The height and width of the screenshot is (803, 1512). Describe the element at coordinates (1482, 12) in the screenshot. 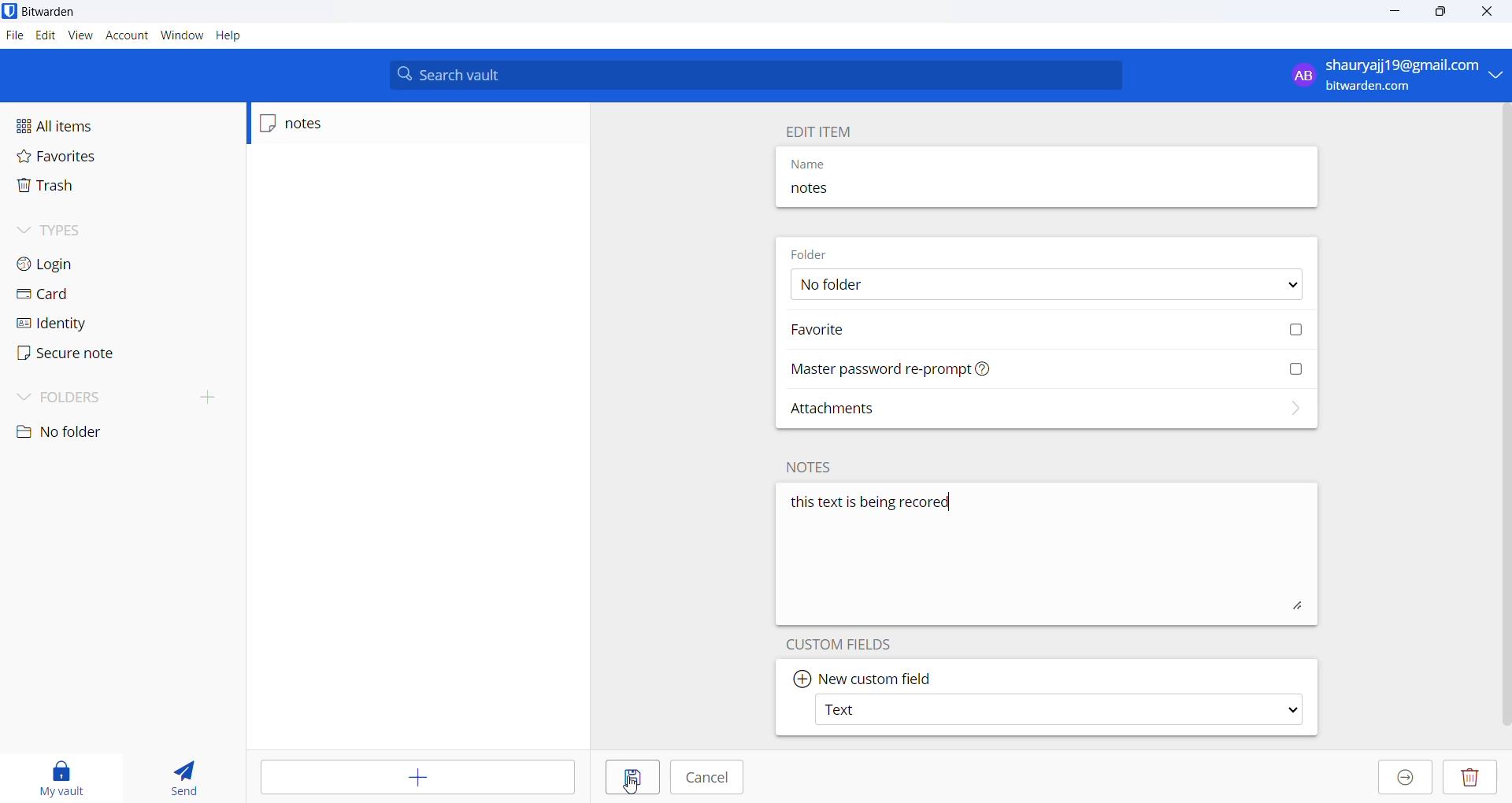

I see `close` at that location.